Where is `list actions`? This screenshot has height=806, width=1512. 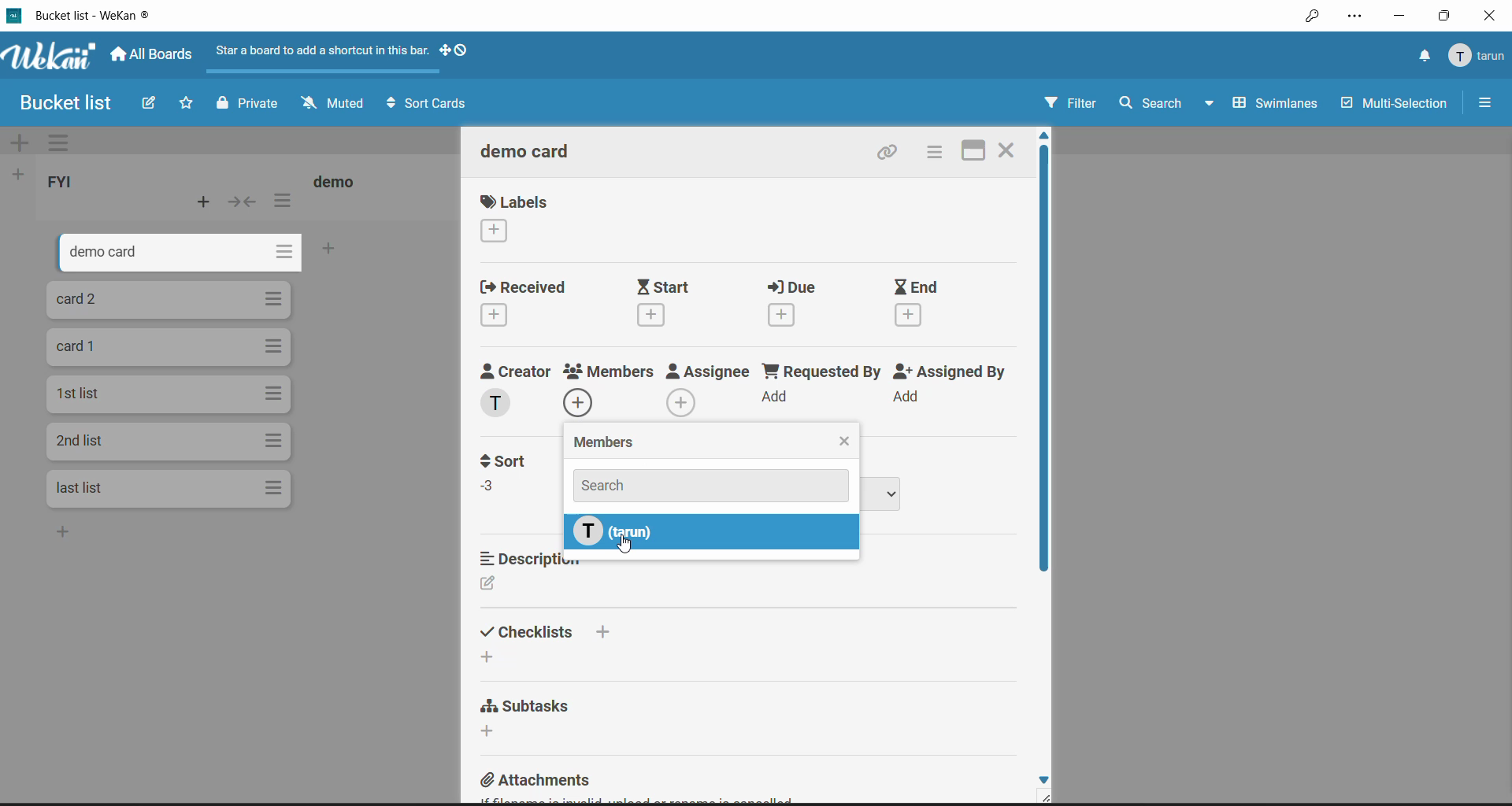 list actions is located at coordinates (283, 199).